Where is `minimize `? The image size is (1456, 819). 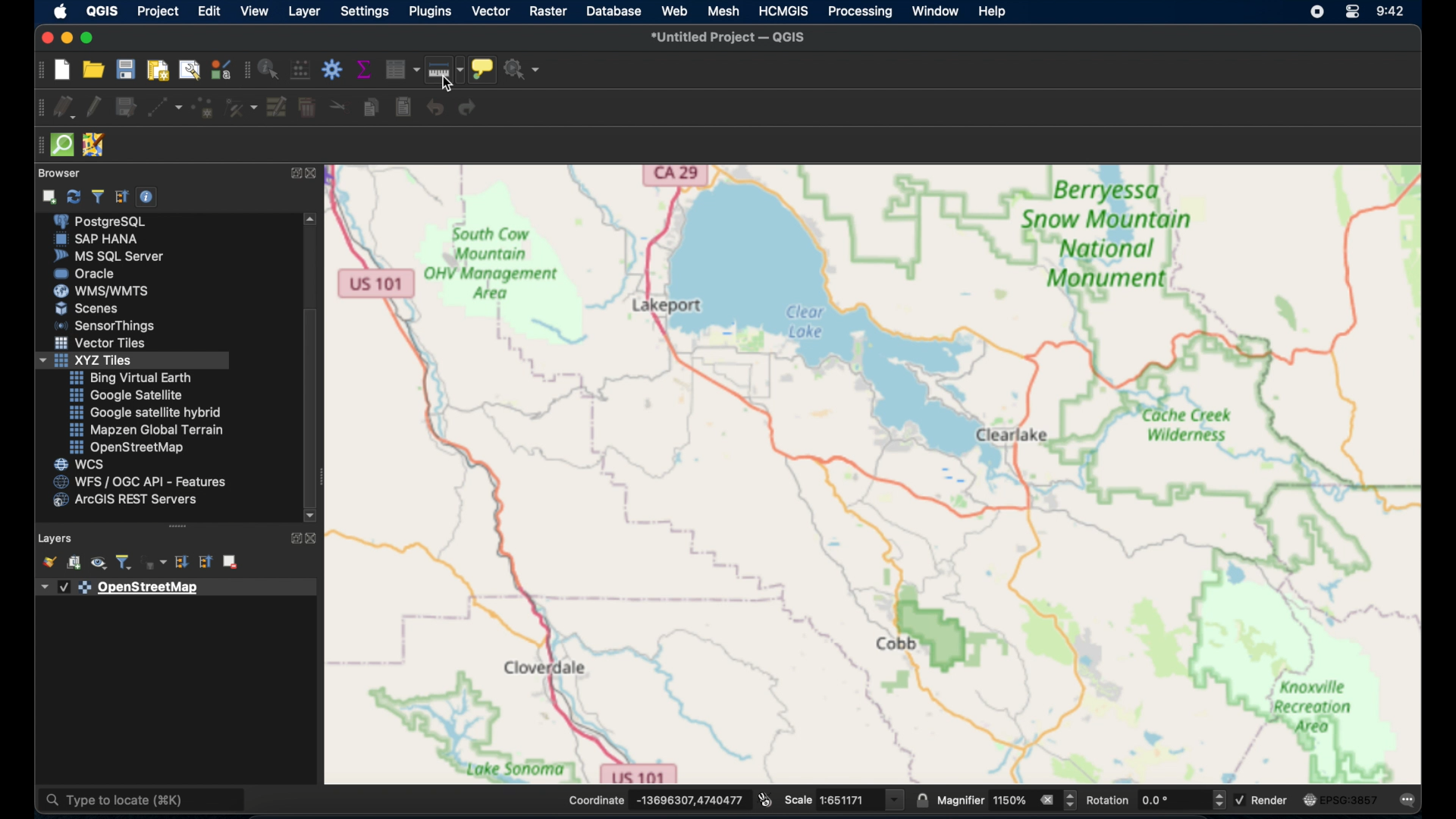
minimize  is located at coordinates (65, 38).